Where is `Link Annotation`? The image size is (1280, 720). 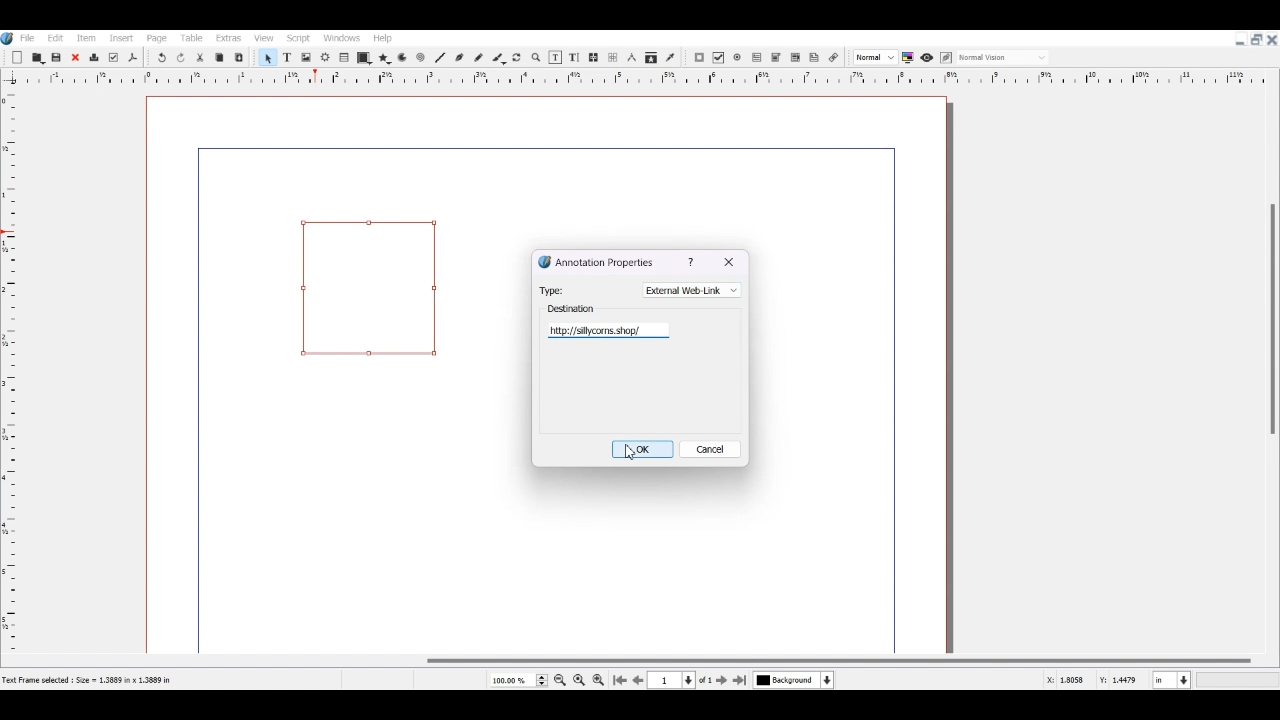
Link Annotation is located at coordinates (833, 56).